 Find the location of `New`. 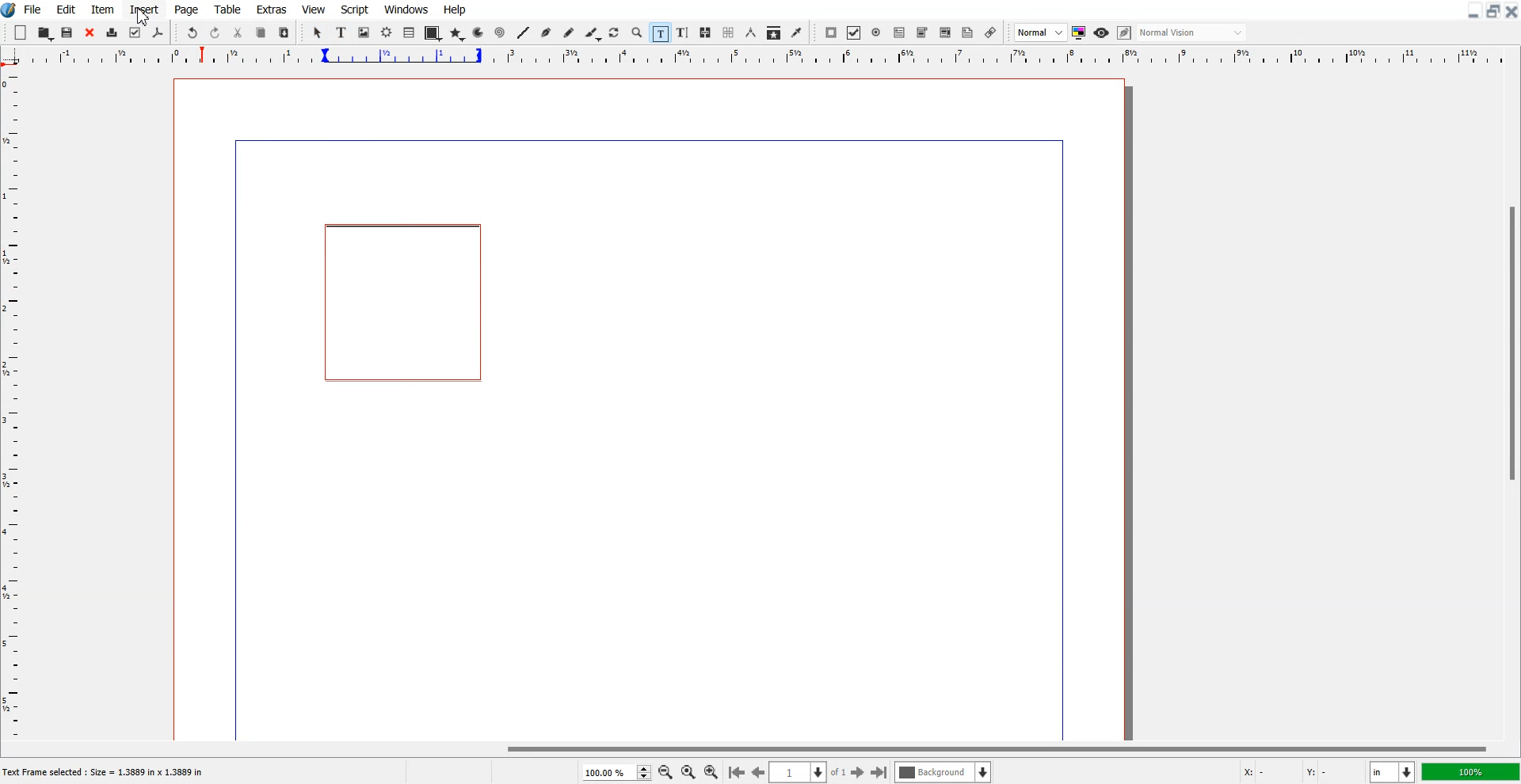

New is located at coordinates (21, 32).